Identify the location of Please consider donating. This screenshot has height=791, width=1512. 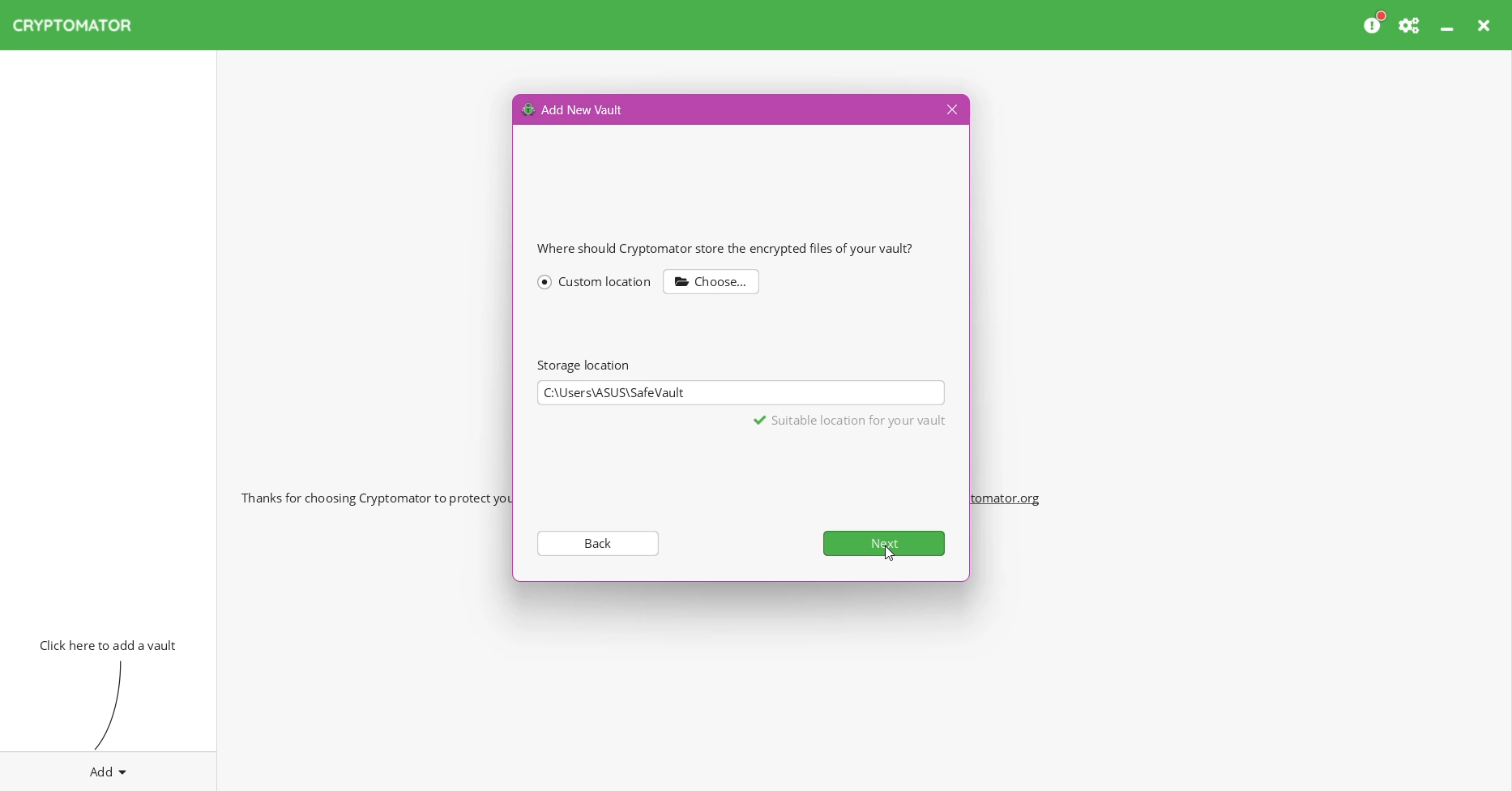
(1375, 24).